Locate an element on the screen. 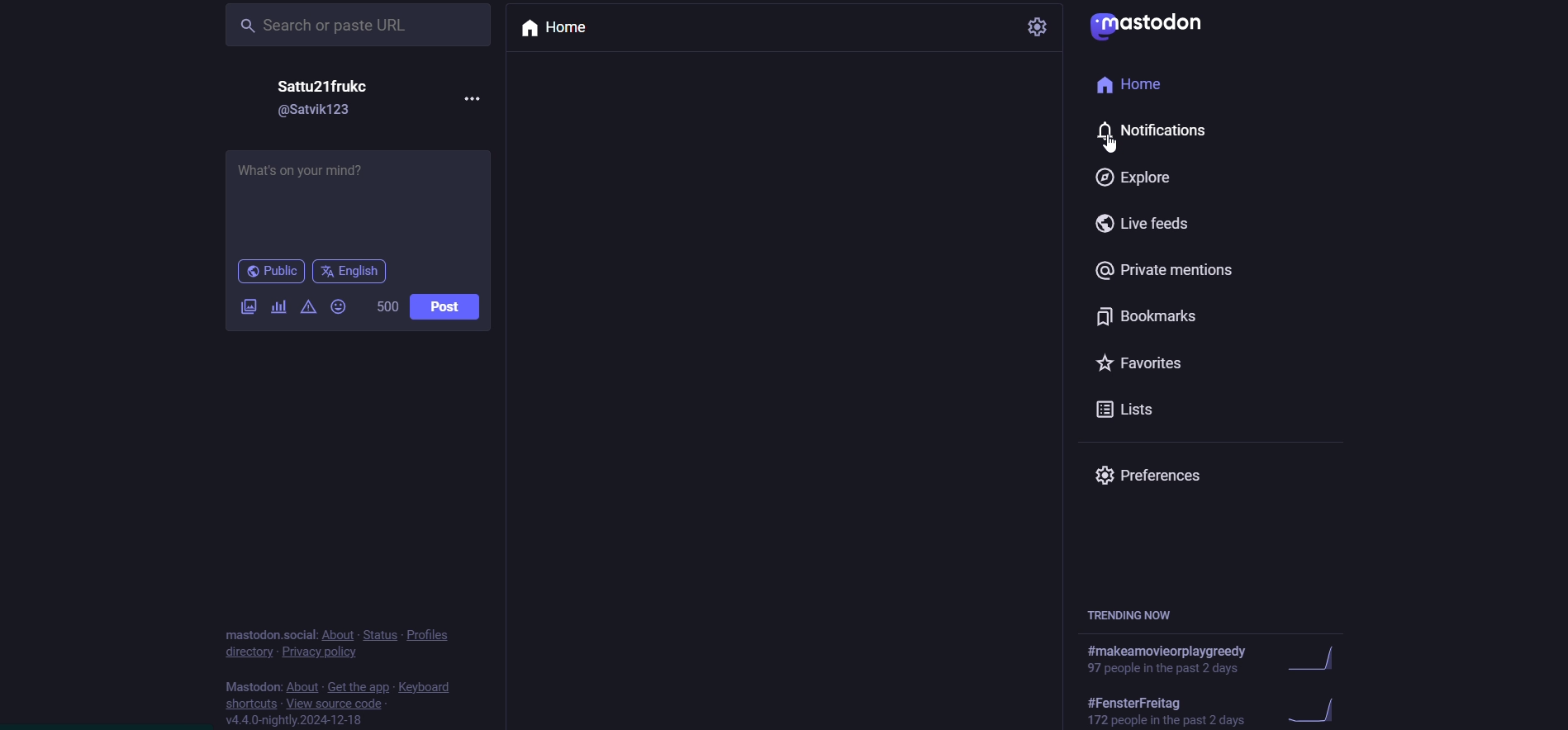 This screenshot has width=1568, height=730. trending graph is located at coordinates (1310, 711).